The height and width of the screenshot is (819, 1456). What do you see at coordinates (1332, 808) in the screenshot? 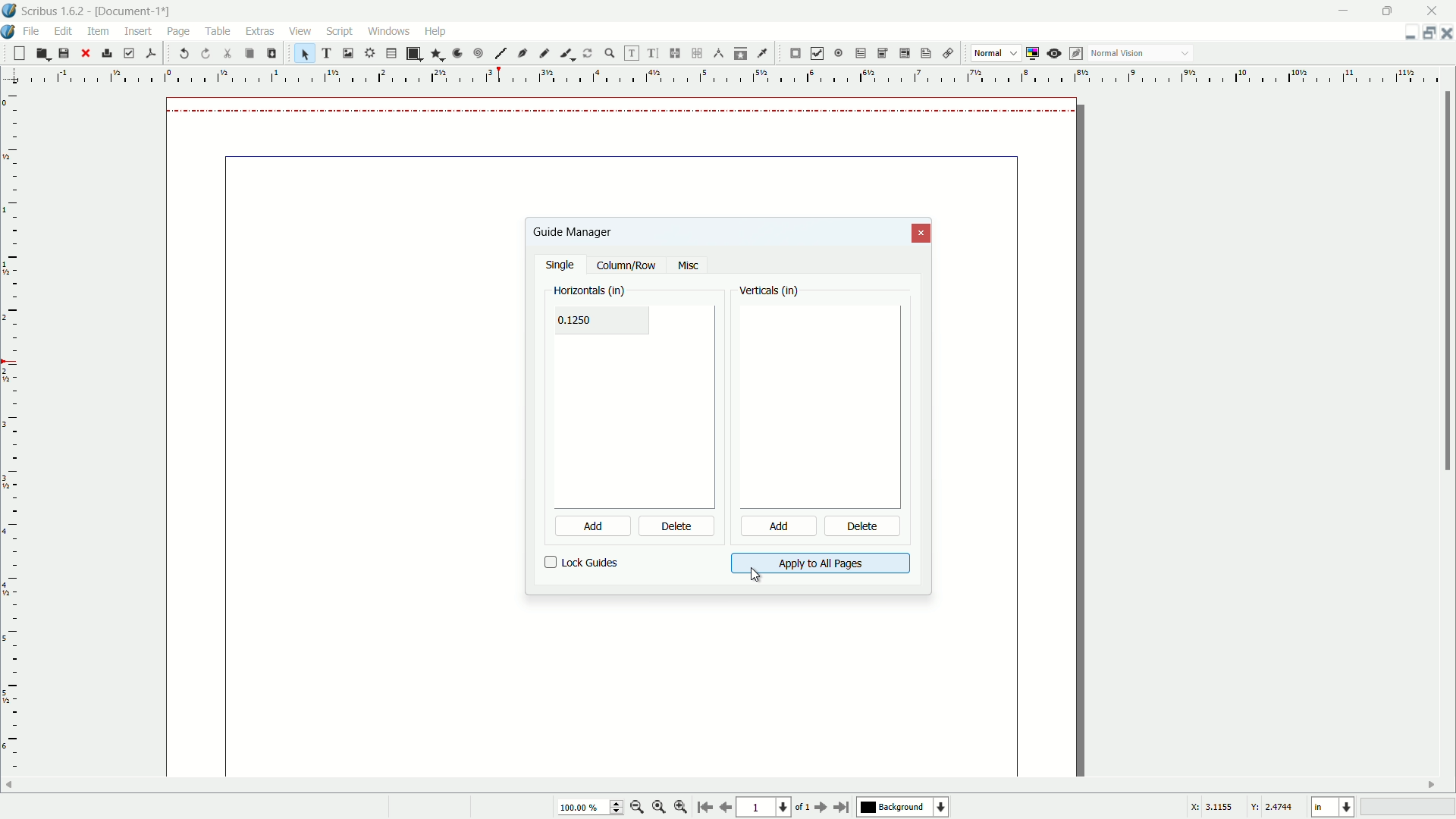
I see `select current unit` at bounding box center [1332, 808].